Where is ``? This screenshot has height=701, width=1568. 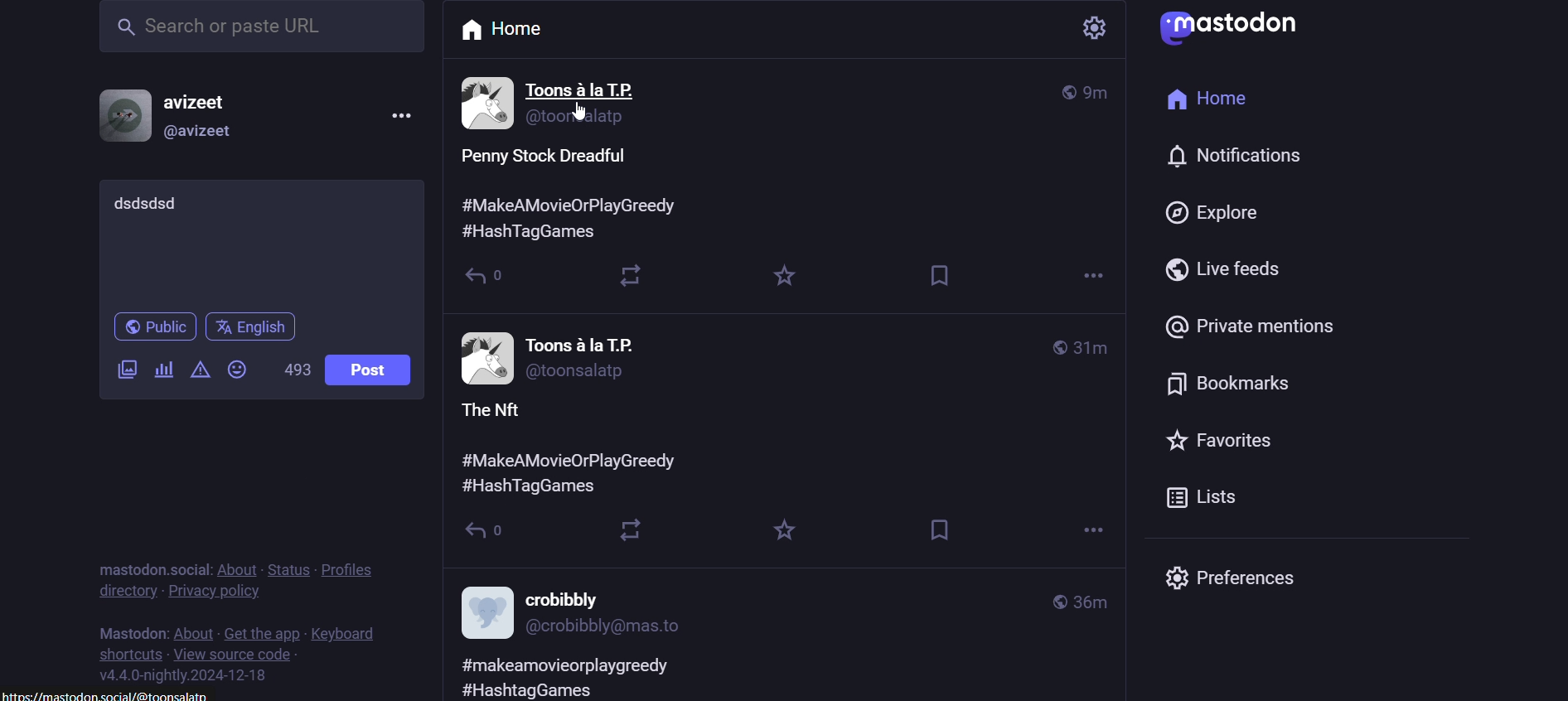  is located at coordinates (569, 462).